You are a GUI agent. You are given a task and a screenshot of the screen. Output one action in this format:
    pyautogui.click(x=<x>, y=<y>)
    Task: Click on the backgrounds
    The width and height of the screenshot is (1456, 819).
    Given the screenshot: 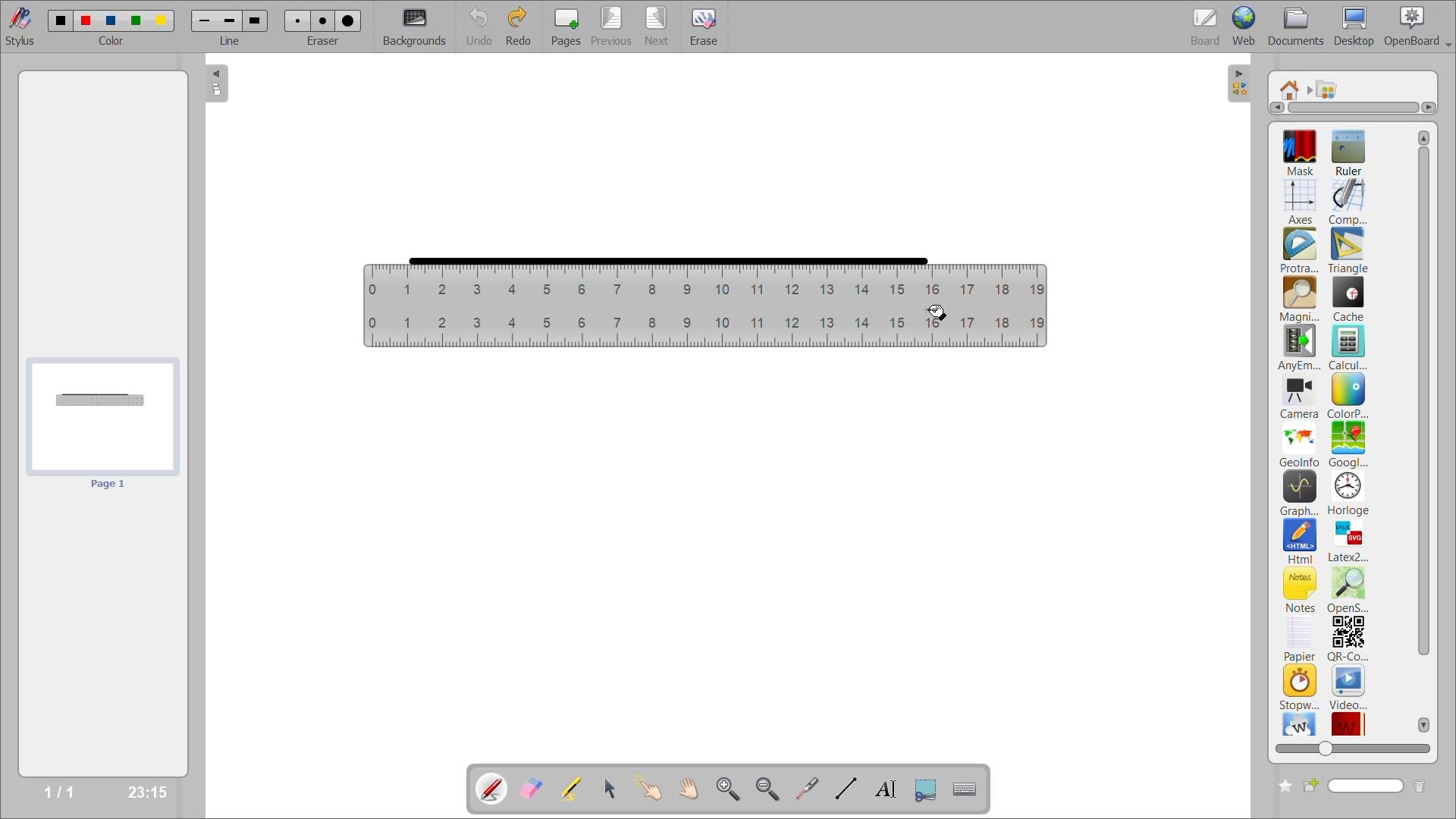 What is the action you would take?
    pyautogui.click(x=417, y=27)
    